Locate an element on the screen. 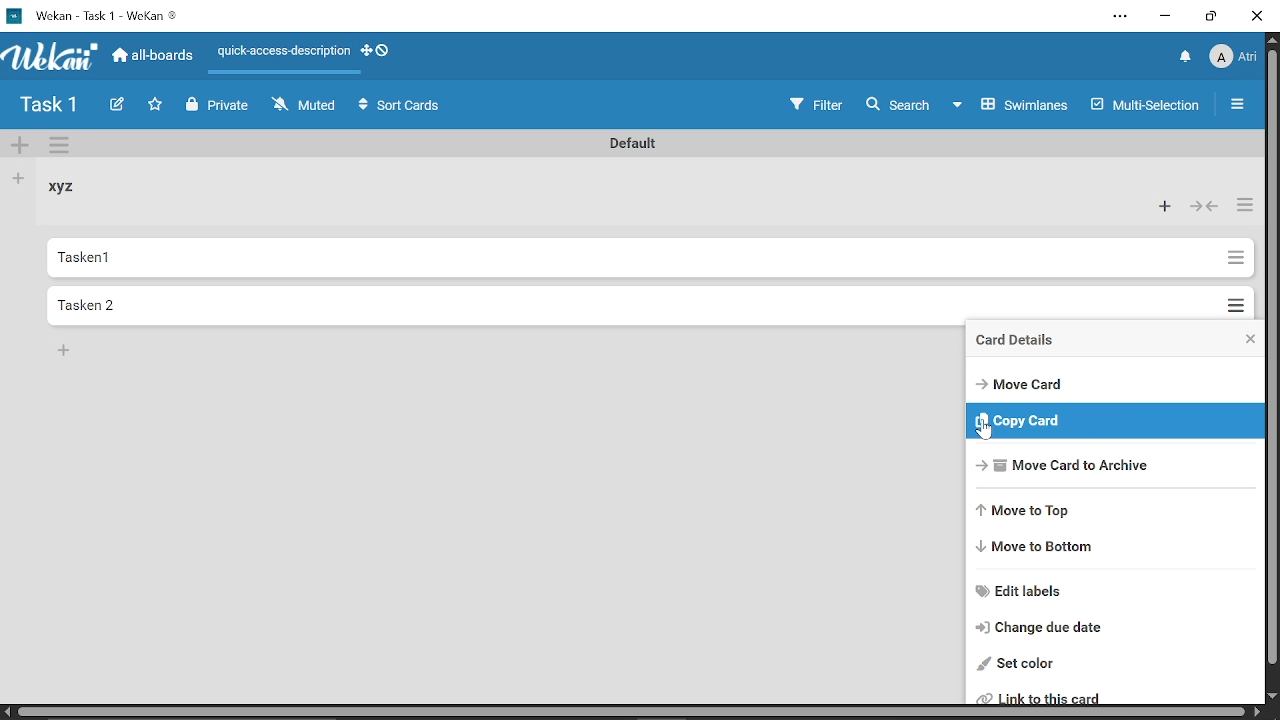 This screenshot has height=720, width=1280. Click to star this board is located at coordinates (157, 106).